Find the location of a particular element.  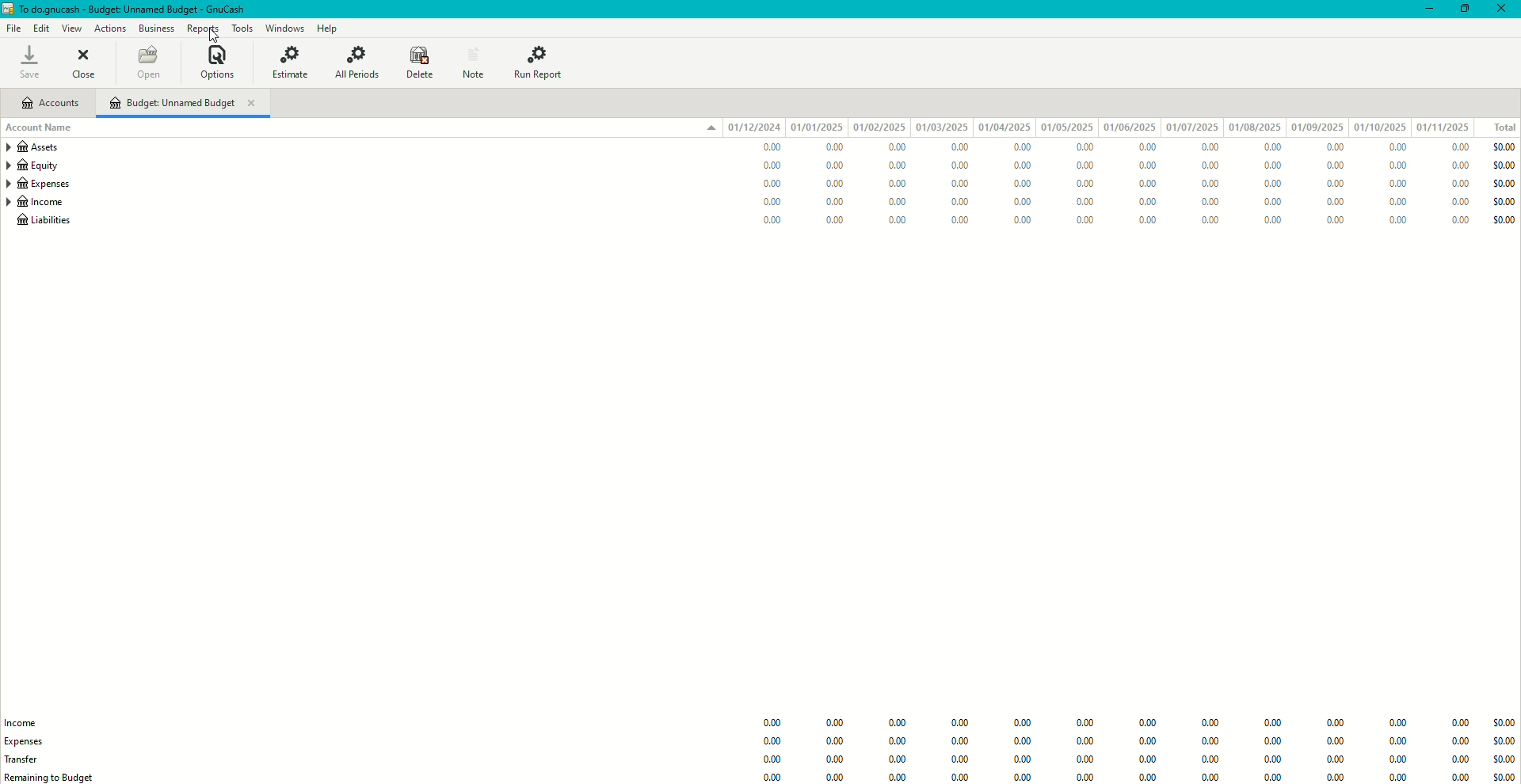

01/07/2025 is located at coordinates (1191, 127).